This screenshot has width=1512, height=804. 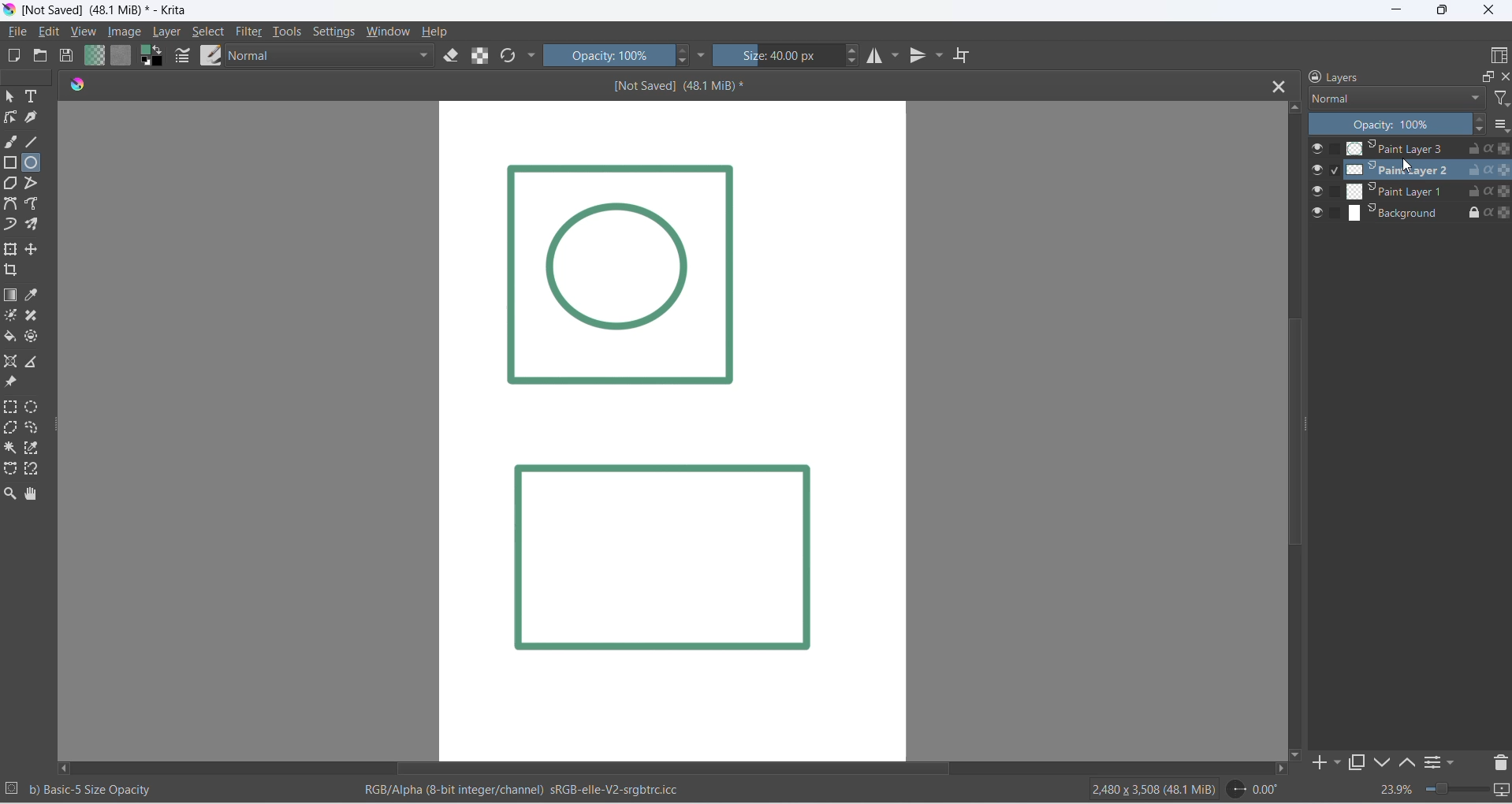 I want to click on refresh, so click(x=507, y=58).